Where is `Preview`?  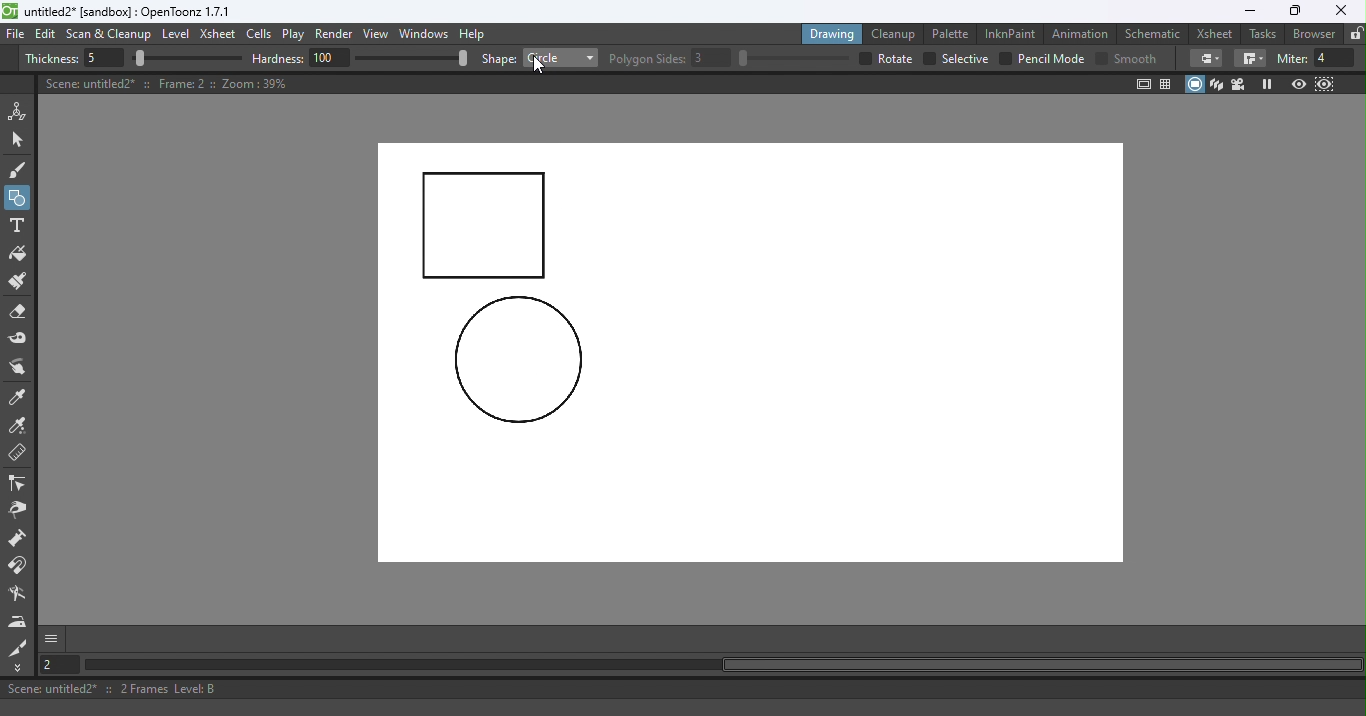
Preview is located at coordinates (1298, 85).